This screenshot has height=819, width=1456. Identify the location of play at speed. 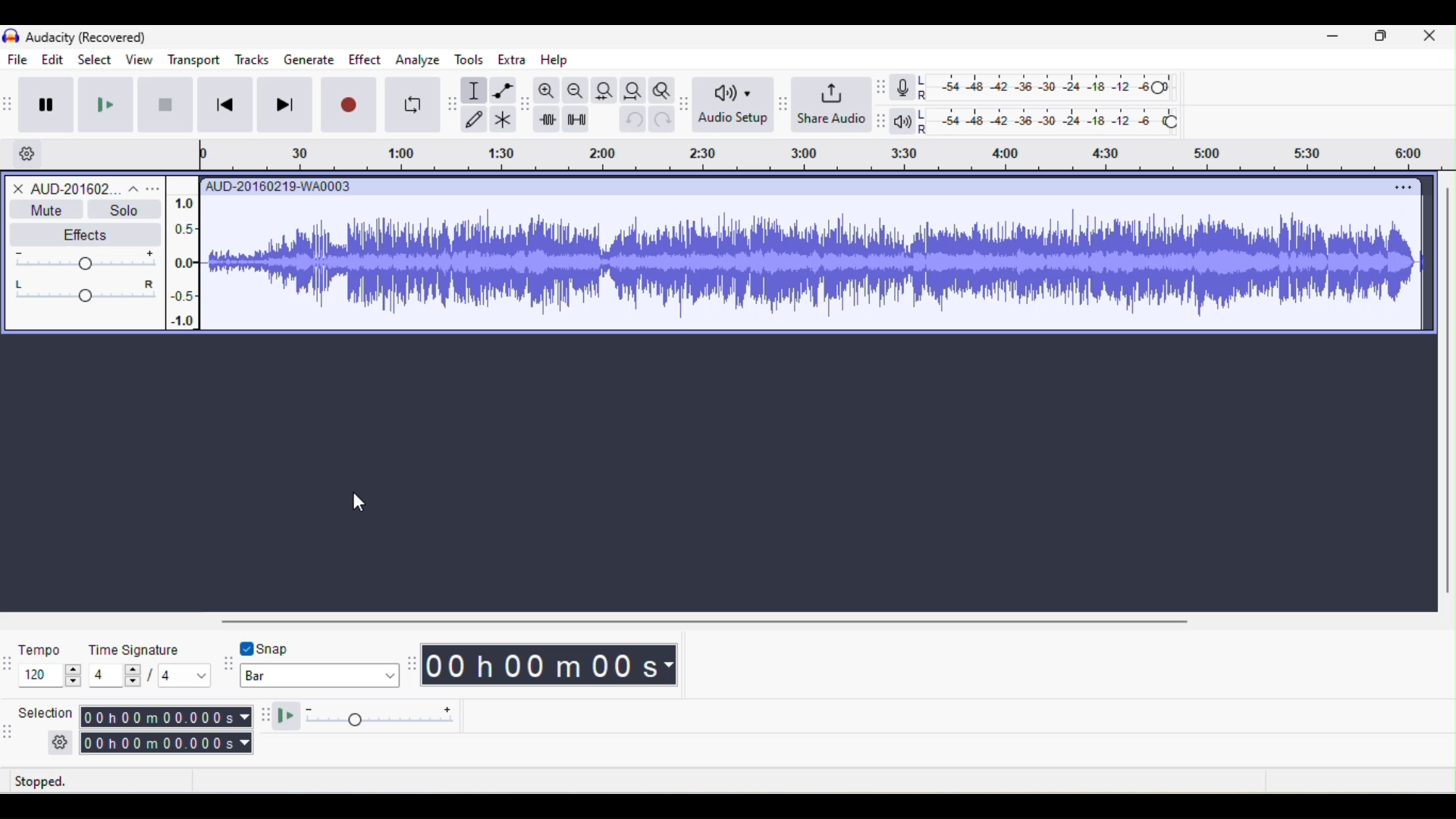
(375, 718).